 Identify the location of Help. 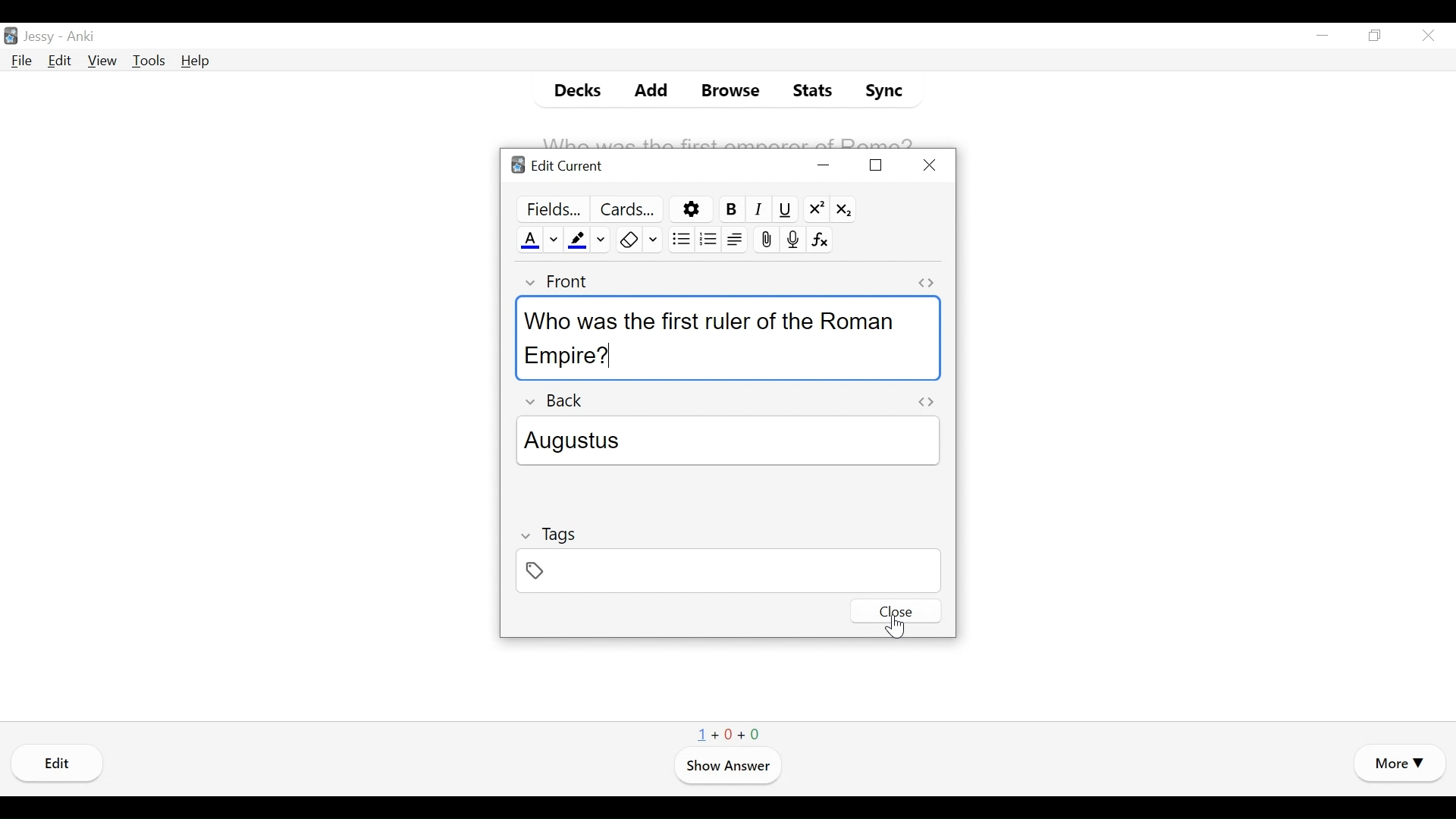
(196, 61).